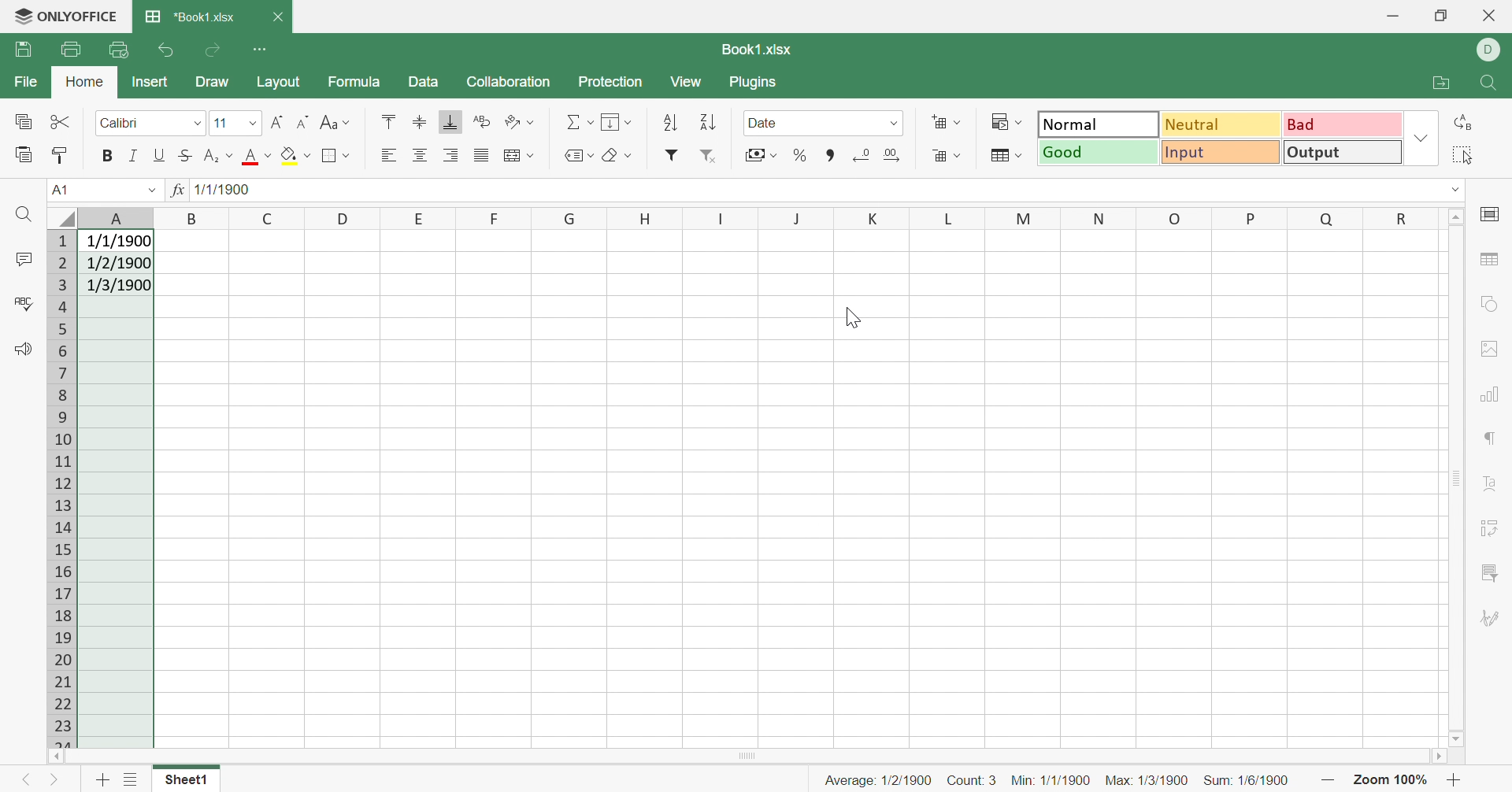 The height and width of the screenshot is (792, 1512). I want to click on Date, so click(765, 124).